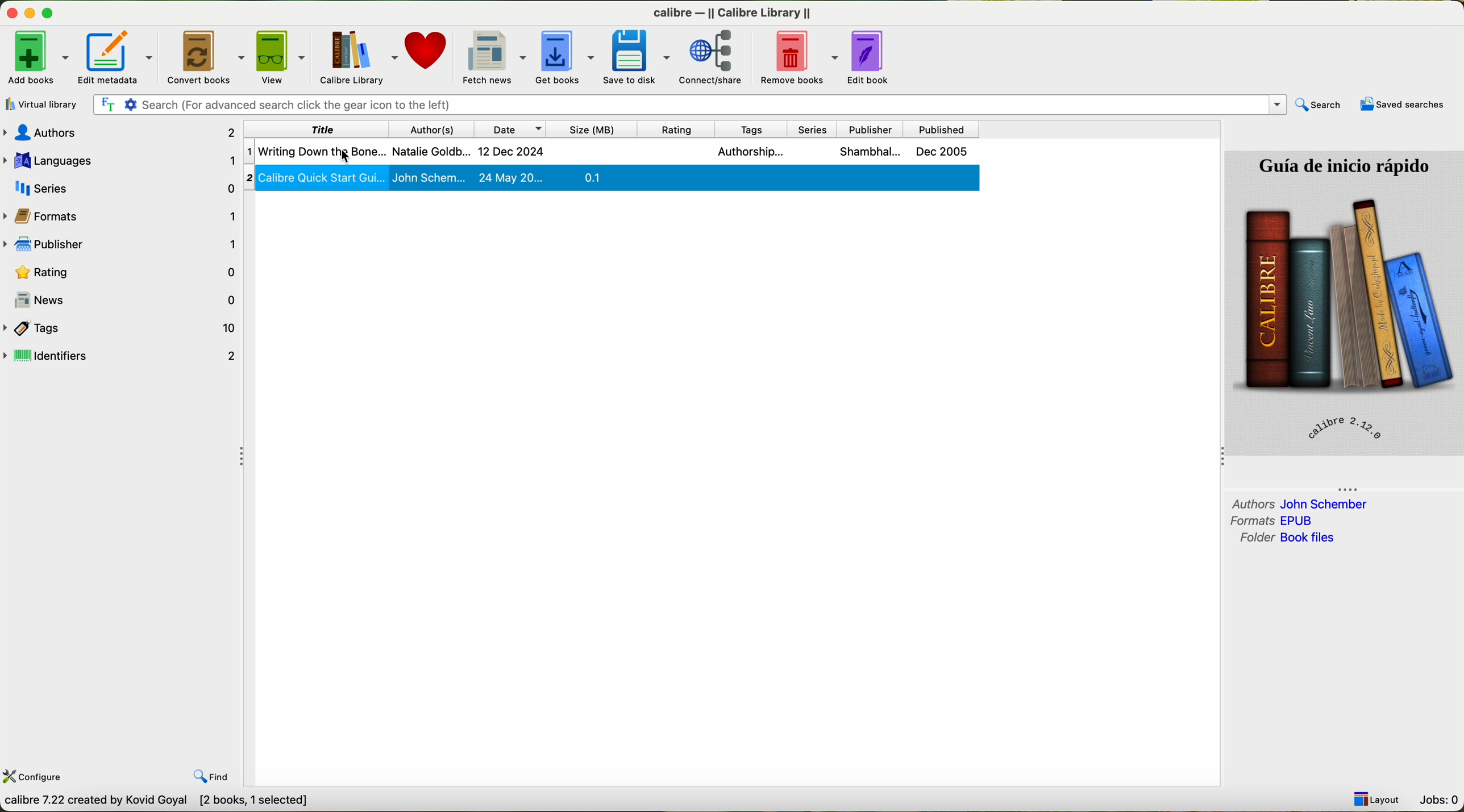 Image resolution: width=1464 pixels, height=812 pixels. I want to click on saved searches, so click(1401, 106).